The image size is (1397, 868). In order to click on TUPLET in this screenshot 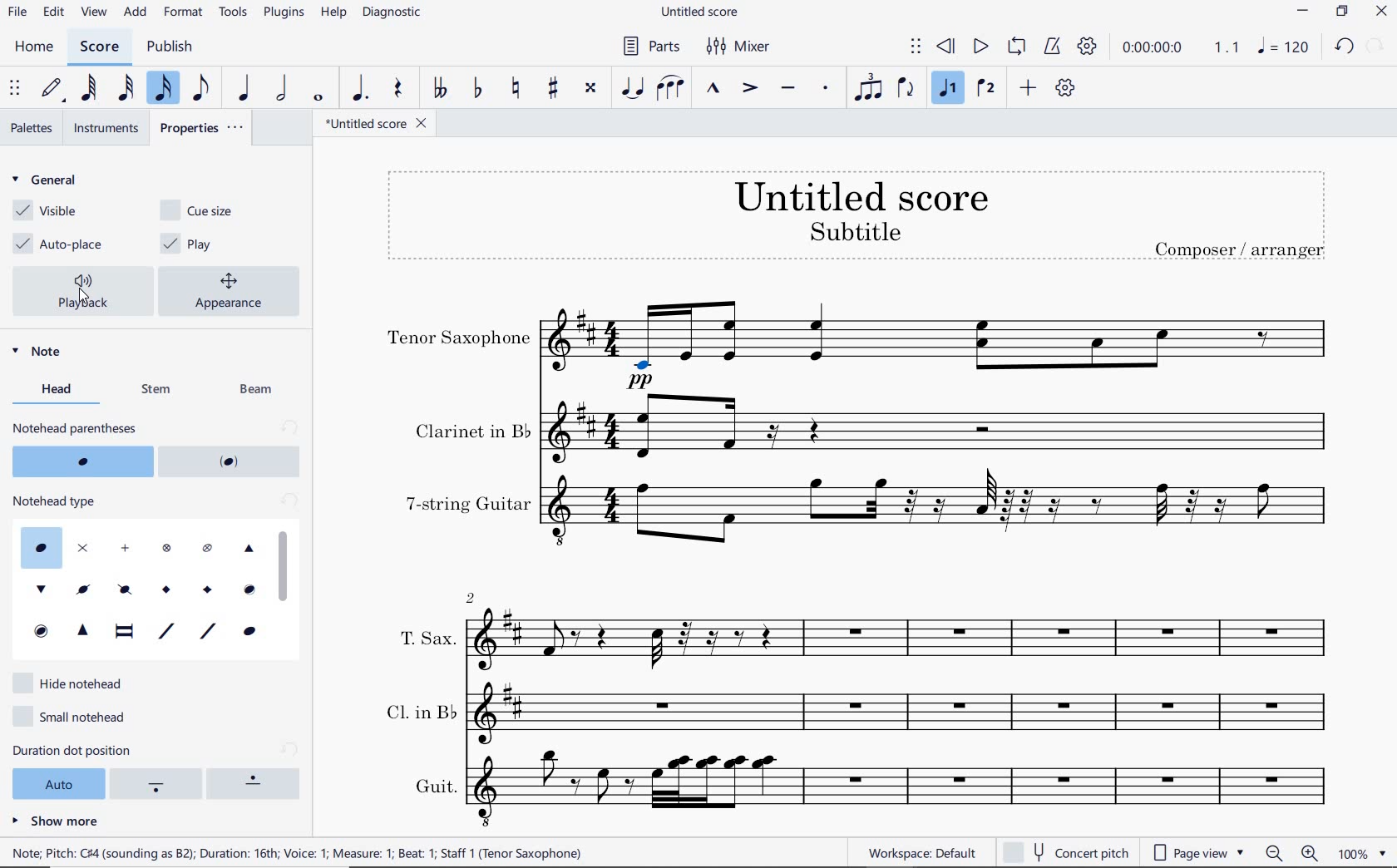, I will do `click(869, 86)`.